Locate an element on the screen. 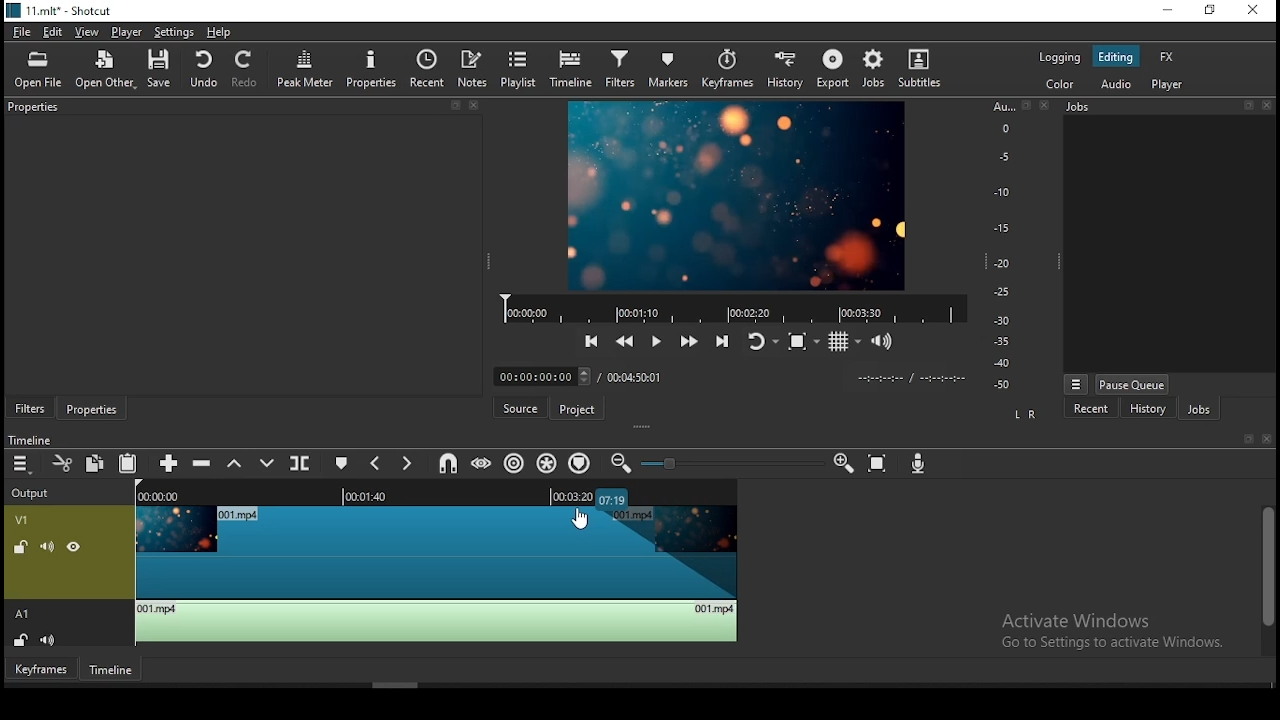  Activate Windows
Go to Settings to activate Windows. is located at coordinates (1112, 633).